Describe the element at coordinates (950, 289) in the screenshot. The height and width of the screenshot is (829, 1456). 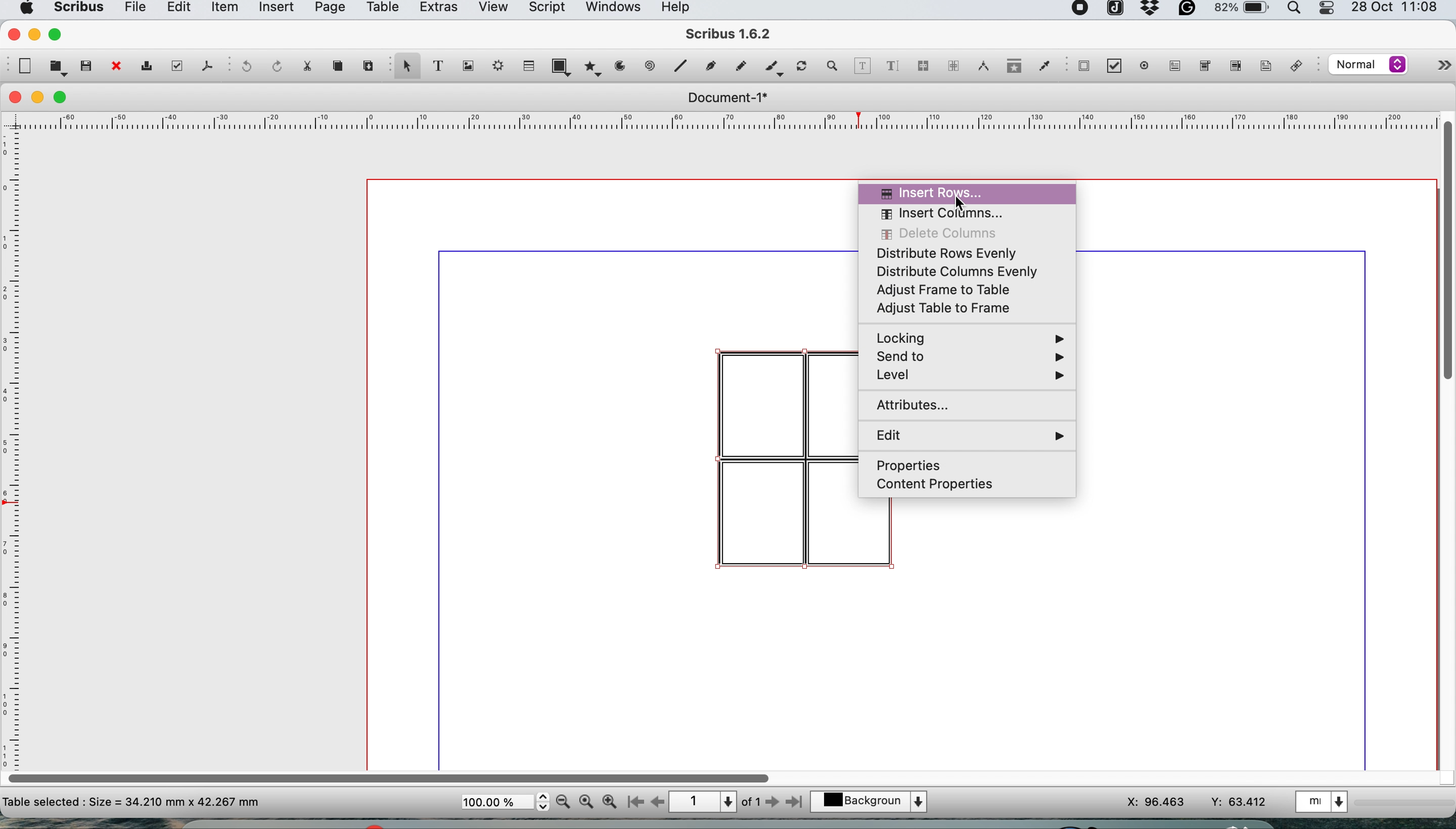
I see `adjust frame to table` at that location.